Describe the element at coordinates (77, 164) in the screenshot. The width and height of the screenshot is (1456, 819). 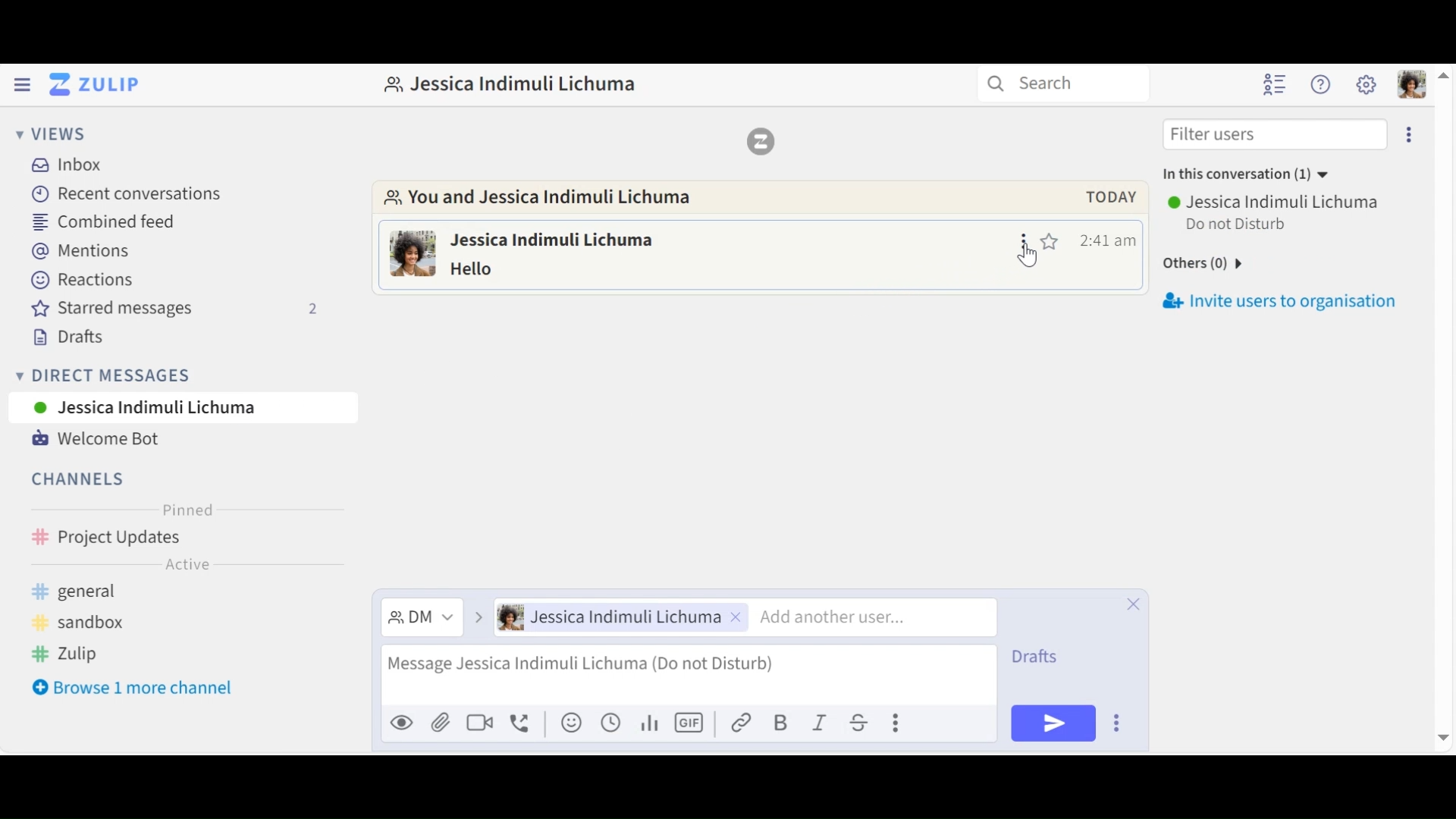
I see `Inbox` at that location.